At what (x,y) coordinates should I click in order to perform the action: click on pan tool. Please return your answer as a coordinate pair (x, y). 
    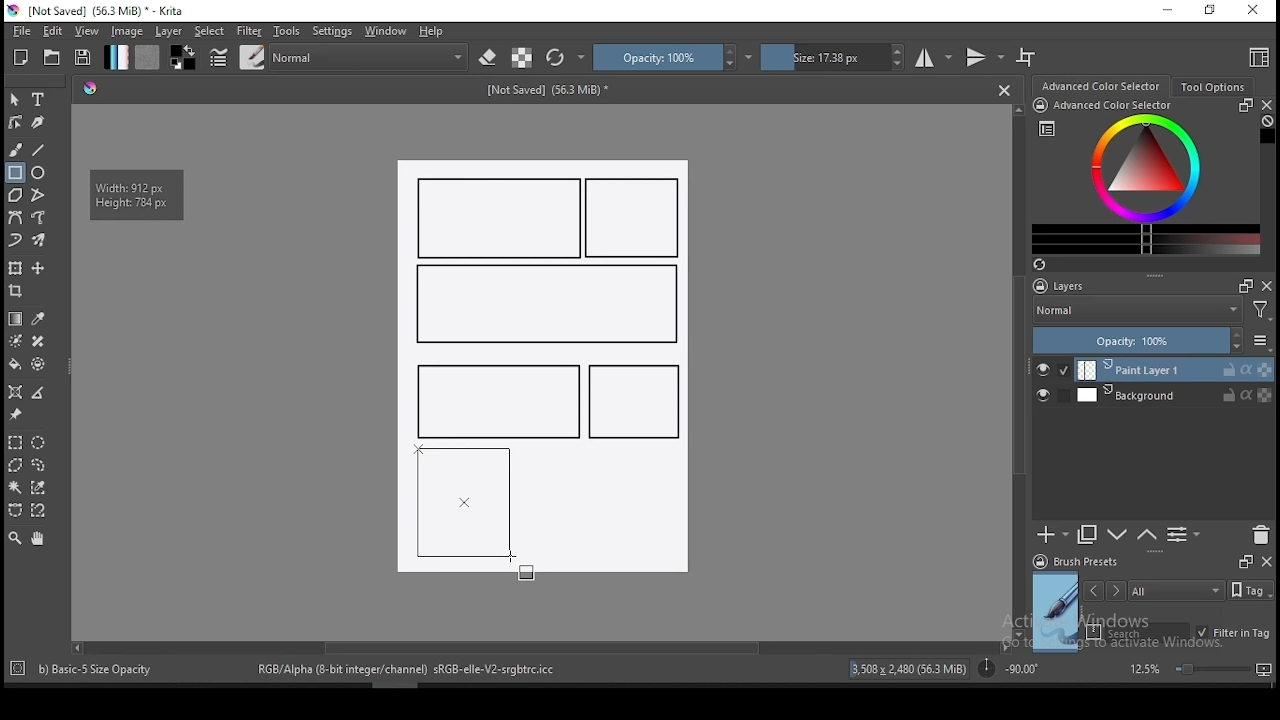
    Looking at the image, I should click on (36, 539).